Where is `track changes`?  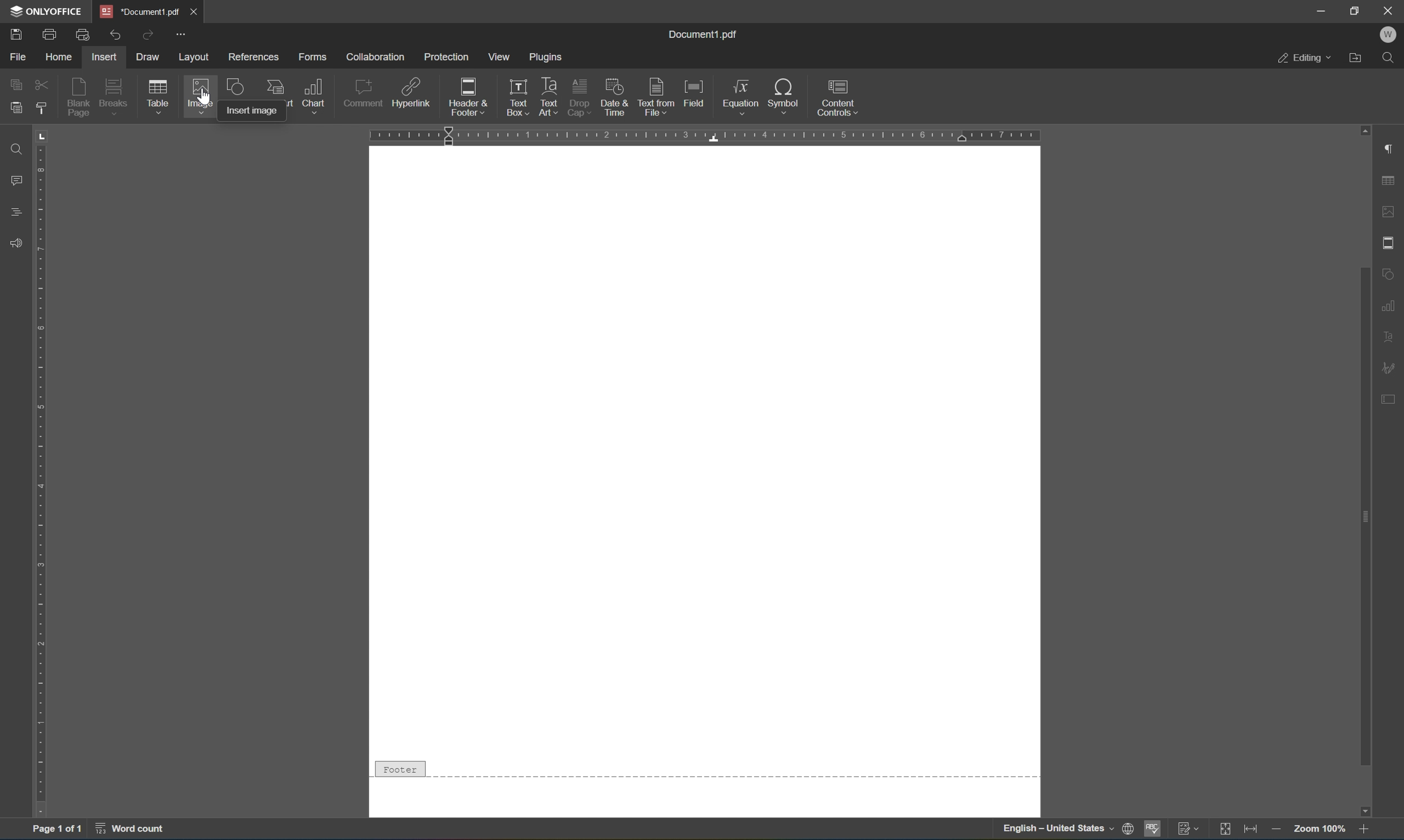 track changes is located at coordinates (1187, 829).